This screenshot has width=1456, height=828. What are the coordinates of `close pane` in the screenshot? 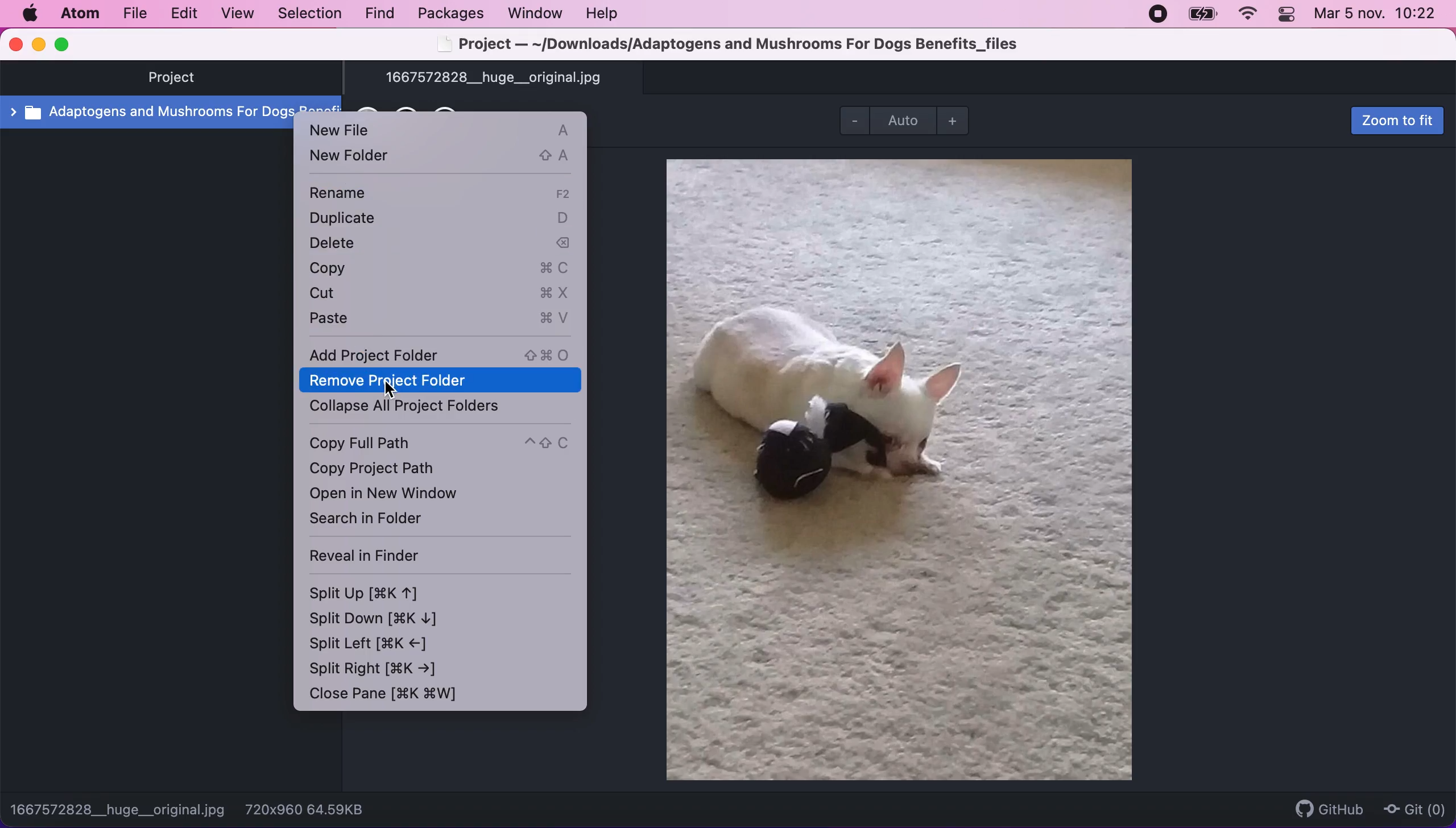 It's located at (388, 694).